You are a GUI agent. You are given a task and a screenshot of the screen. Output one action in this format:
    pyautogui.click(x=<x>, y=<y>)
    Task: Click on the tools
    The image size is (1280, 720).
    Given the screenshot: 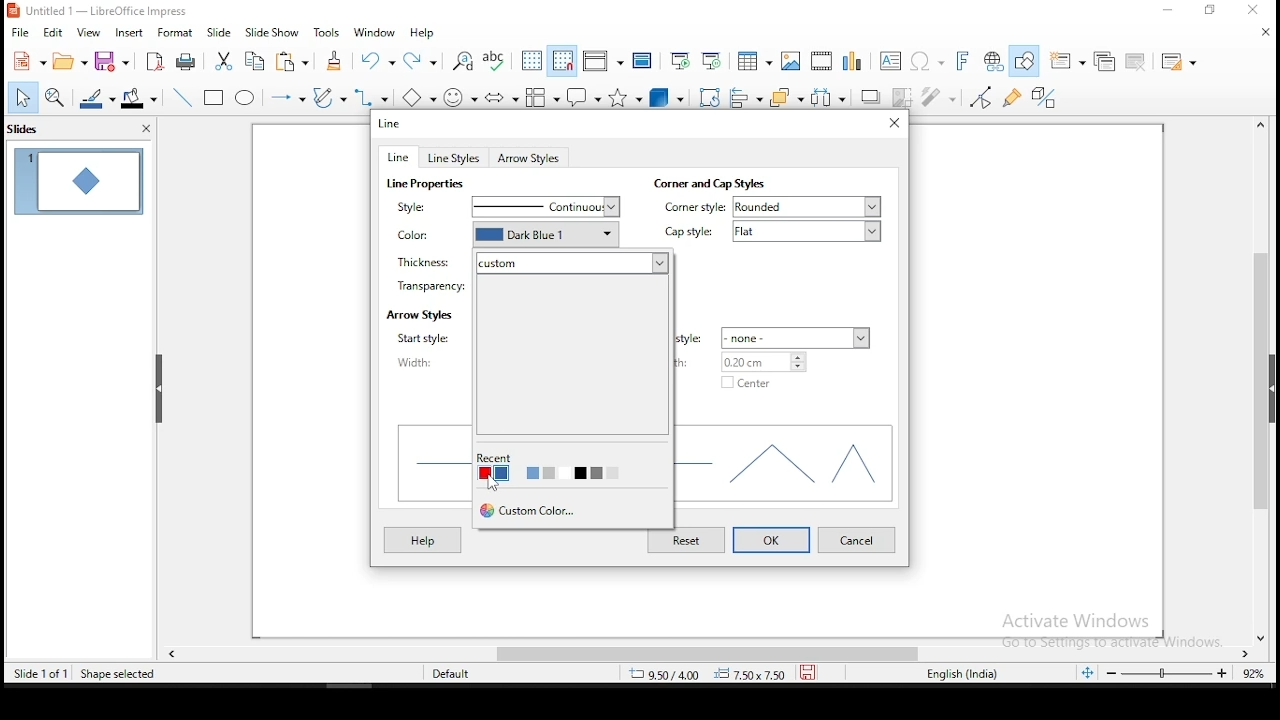 What is the action you would take?
    pyautogui.click(x=328, y=32)
    